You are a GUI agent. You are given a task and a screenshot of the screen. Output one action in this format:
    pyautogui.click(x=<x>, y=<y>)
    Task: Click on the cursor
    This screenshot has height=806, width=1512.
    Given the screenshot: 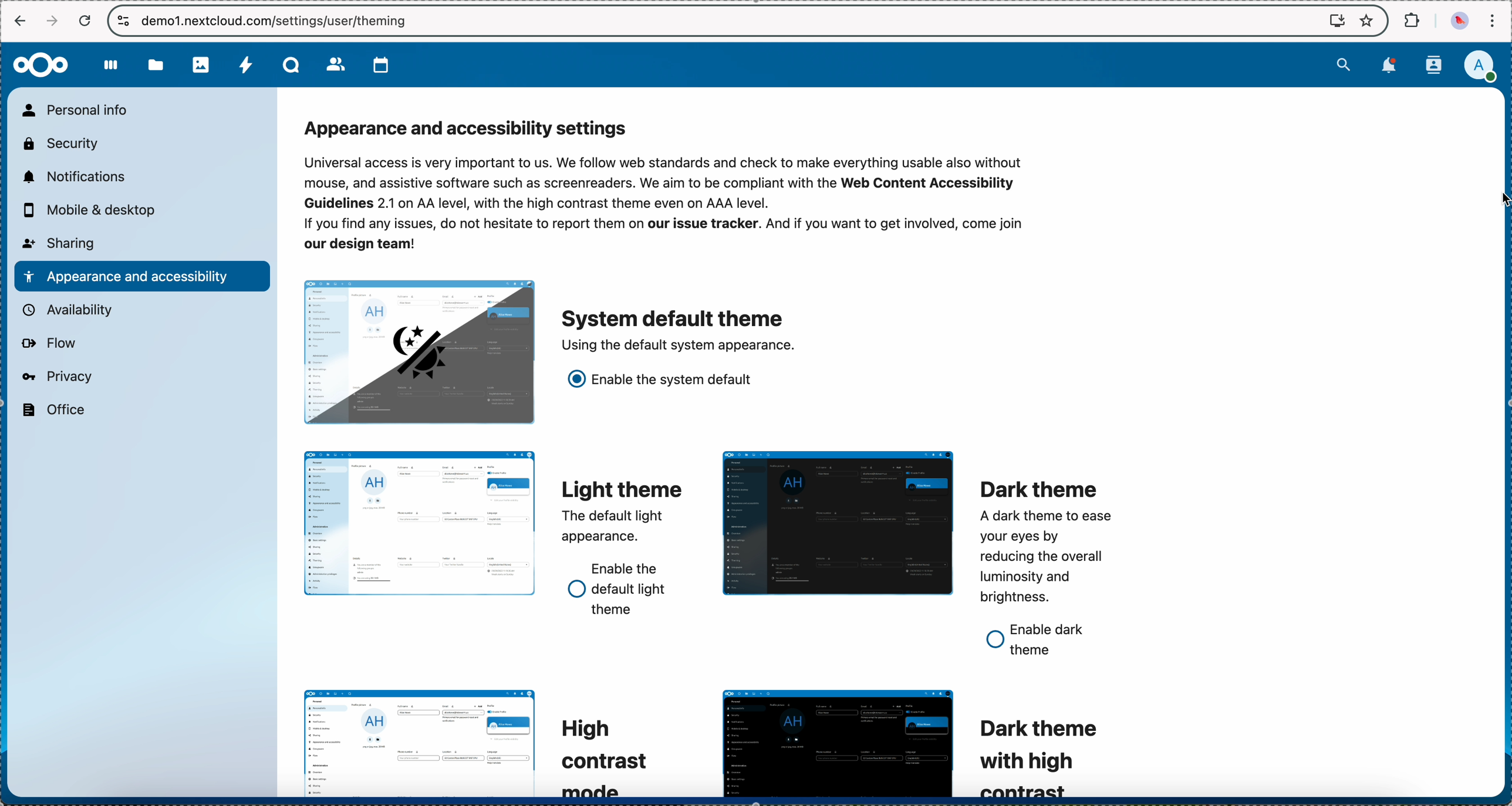 What is the action you would take?
    pyautogui.click(x=1486, y=201)
    